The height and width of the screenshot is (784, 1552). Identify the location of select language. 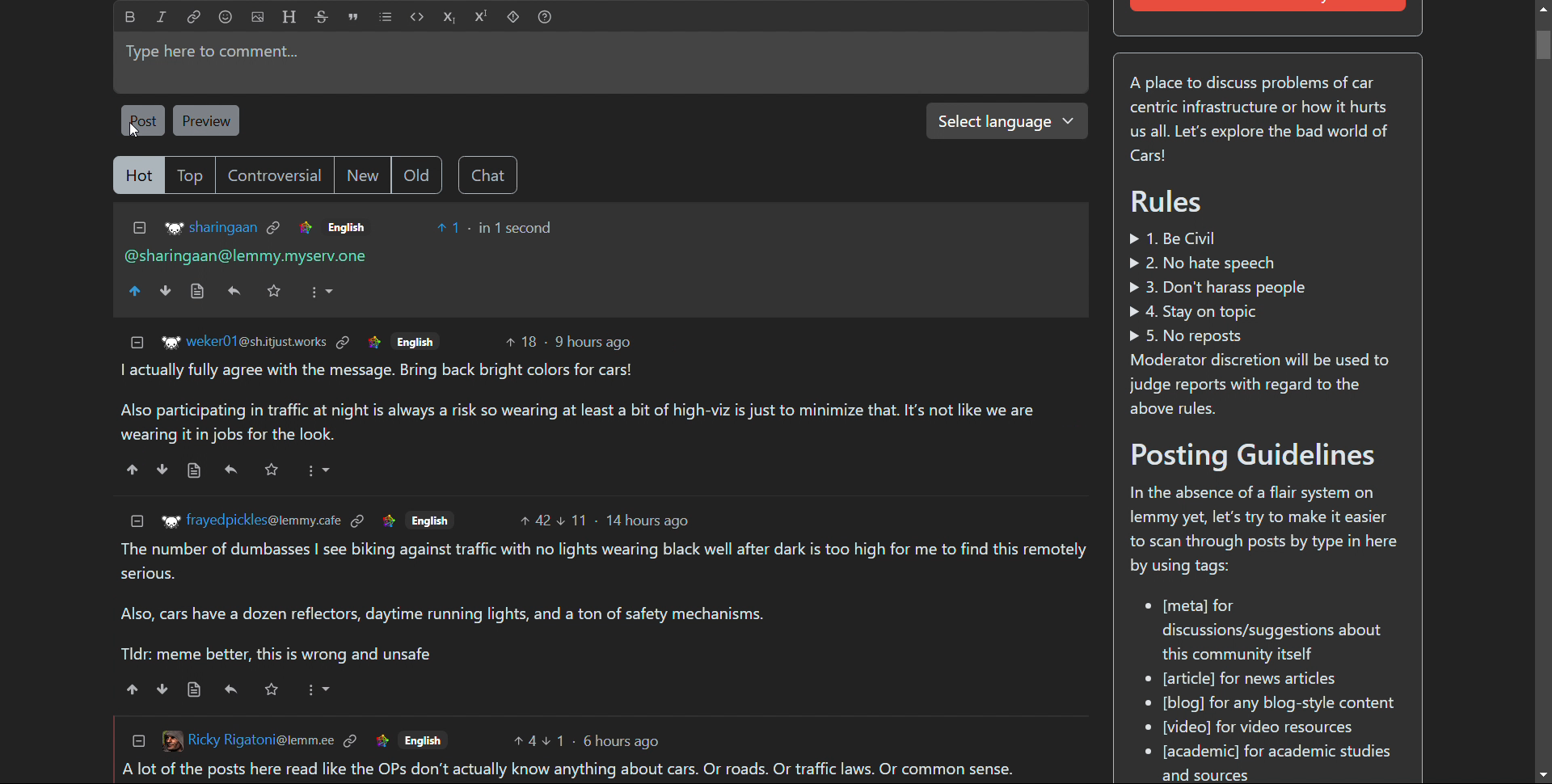
(1006, 121).